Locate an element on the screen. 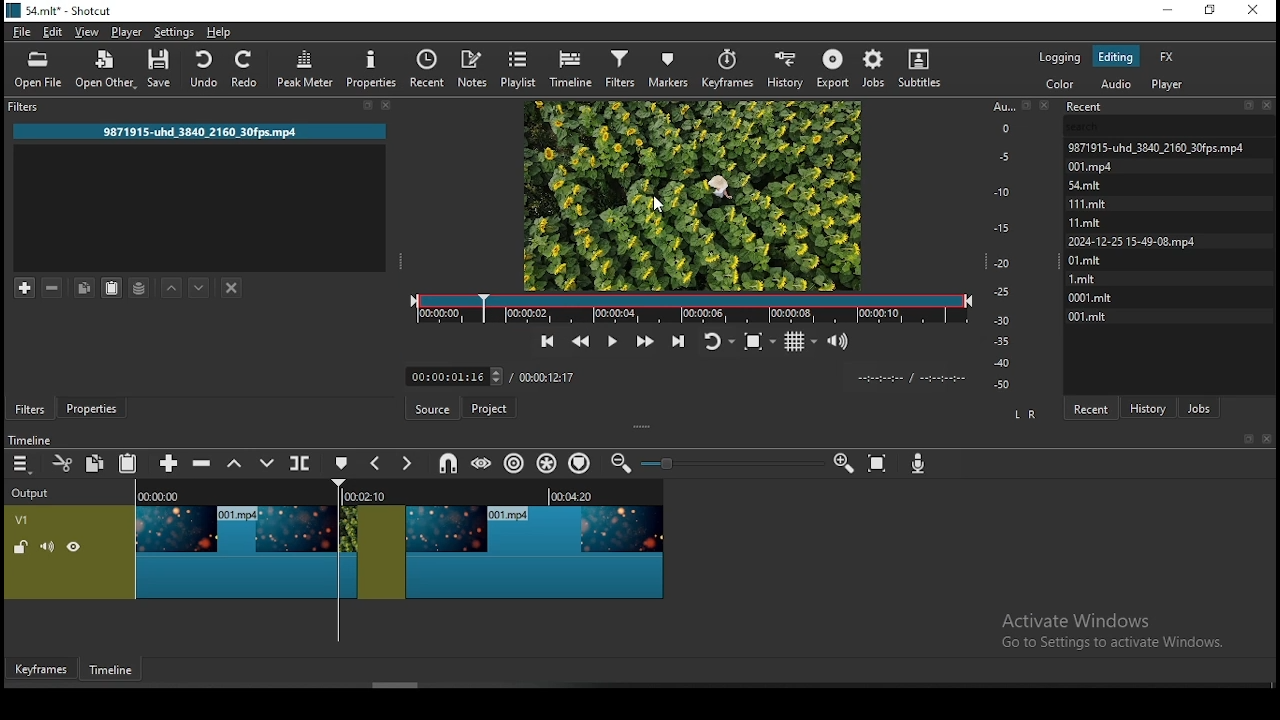 The width and height of the screenshot is (1280, 720). recent is located at coordinates (1089, 408).